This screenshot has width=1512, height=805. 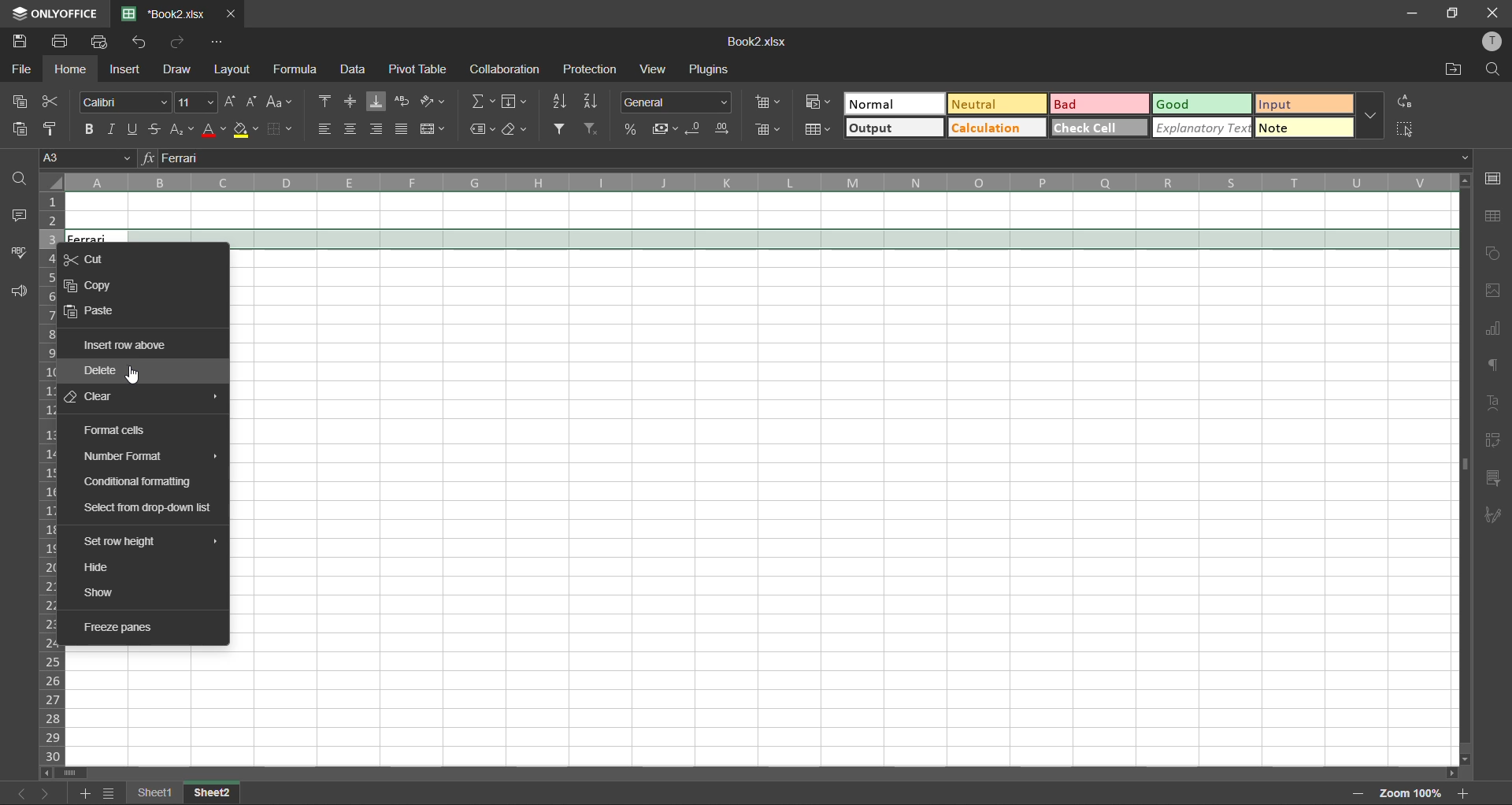 What do you see at coordinates (282, 101) in the screenshot?
I see `change case` at bounding box center [282, 101].